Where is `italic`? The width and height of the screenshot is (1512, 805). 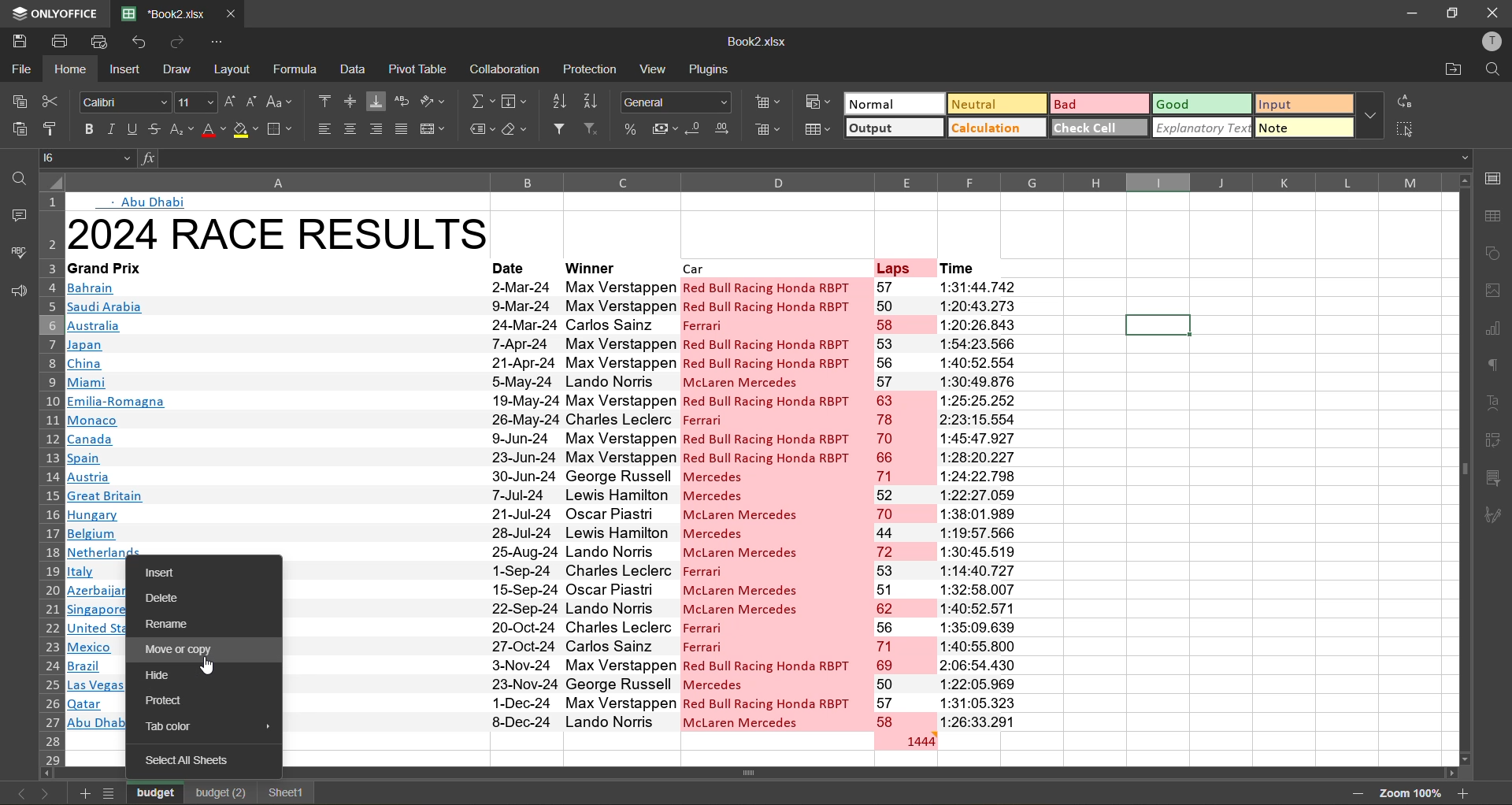 italic is located at coordinates (110, 130).